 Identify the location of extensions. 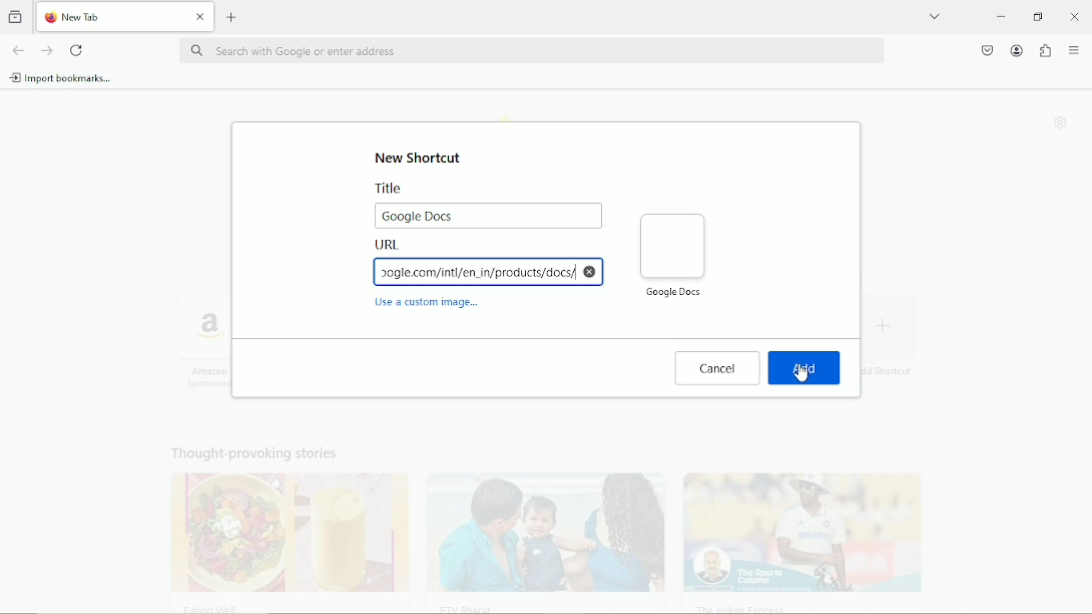
(1044, 51).